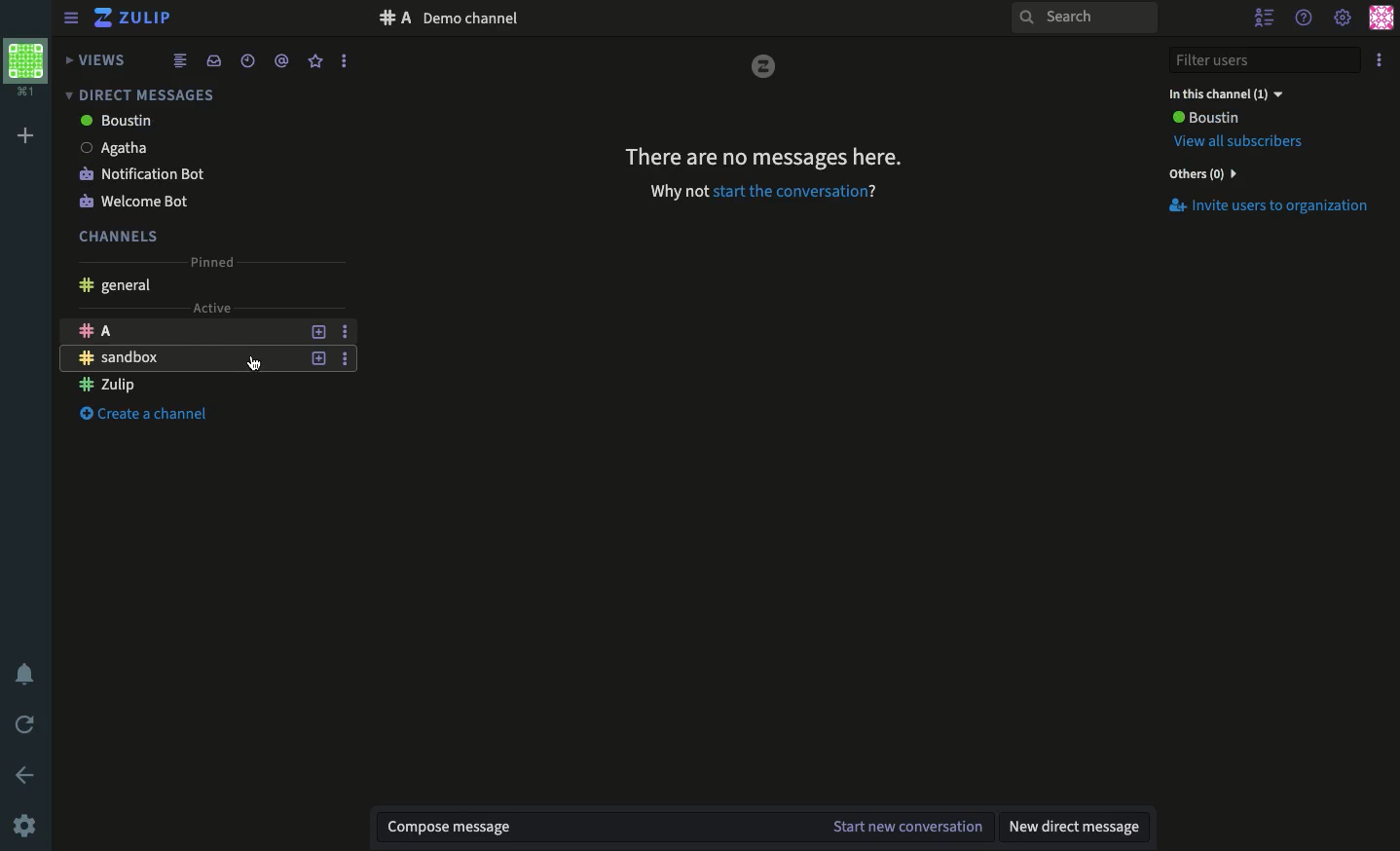 The image size is (1400, 851). I want to click on Options, so click(345, 356).